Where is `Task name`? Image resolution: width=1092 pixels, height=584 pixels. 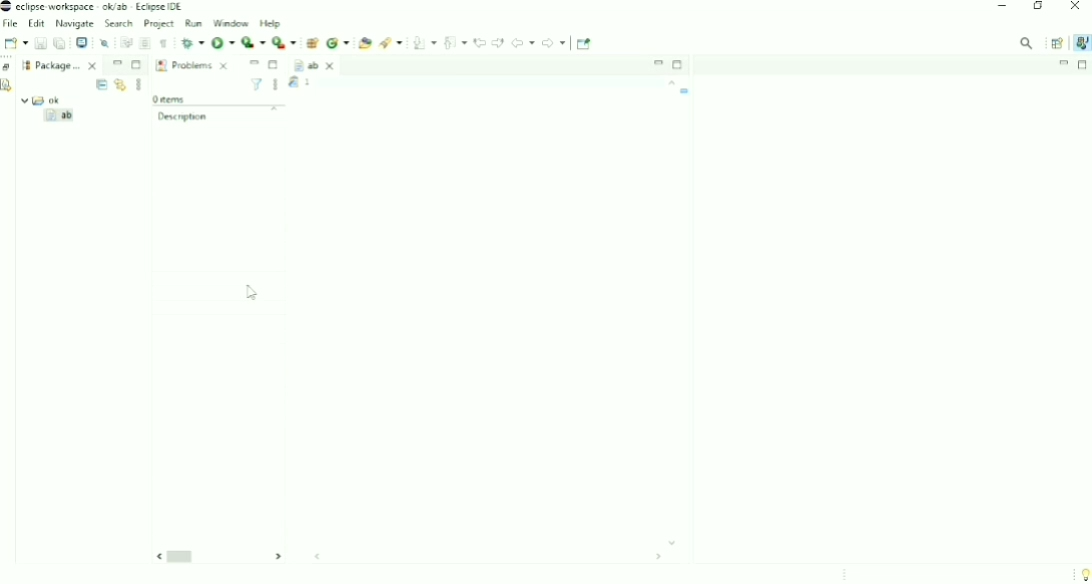
Task name is located at coordinates (686, 91).